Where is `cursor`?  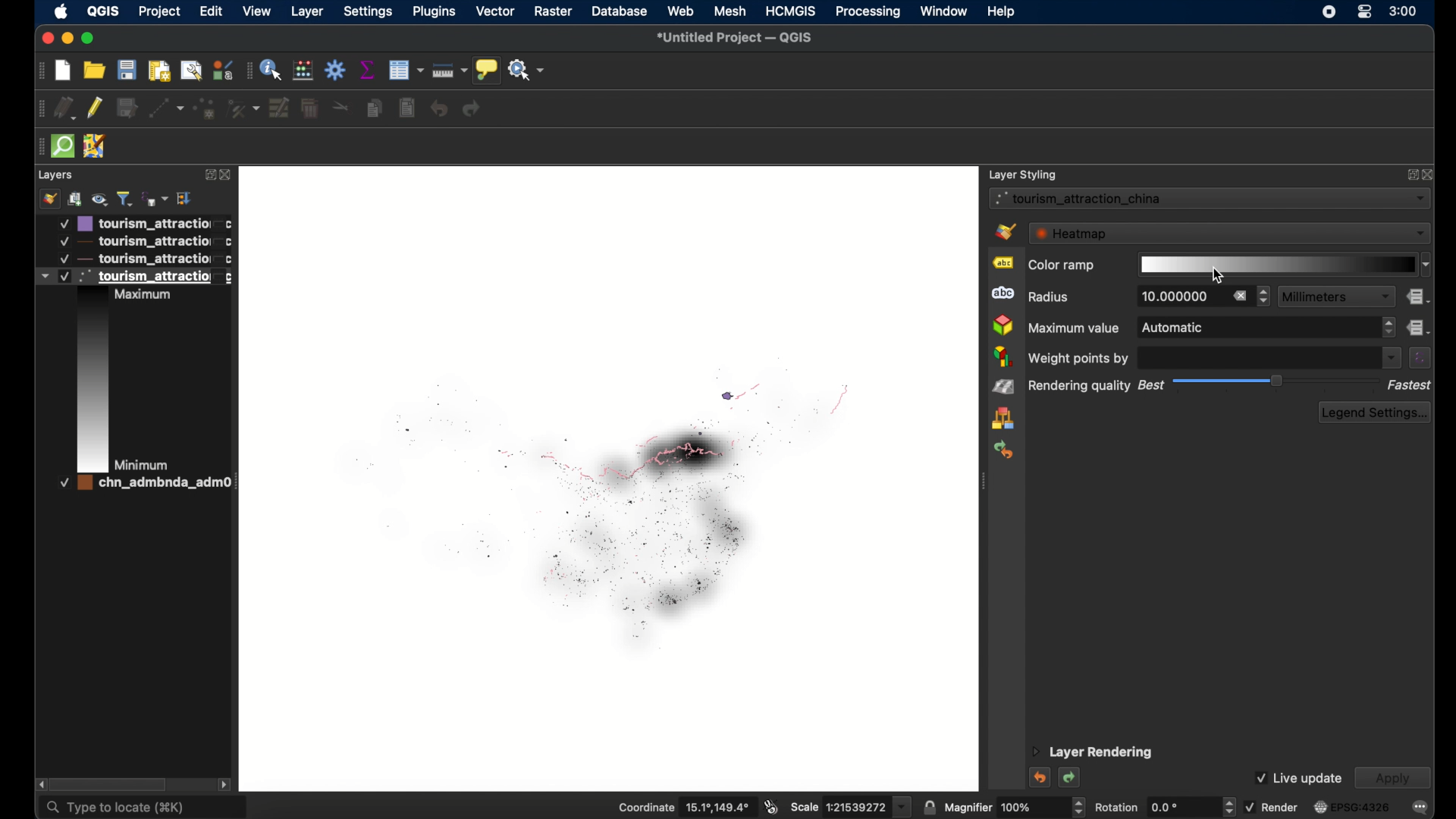
cursor is located at coordinates (1223, 276).